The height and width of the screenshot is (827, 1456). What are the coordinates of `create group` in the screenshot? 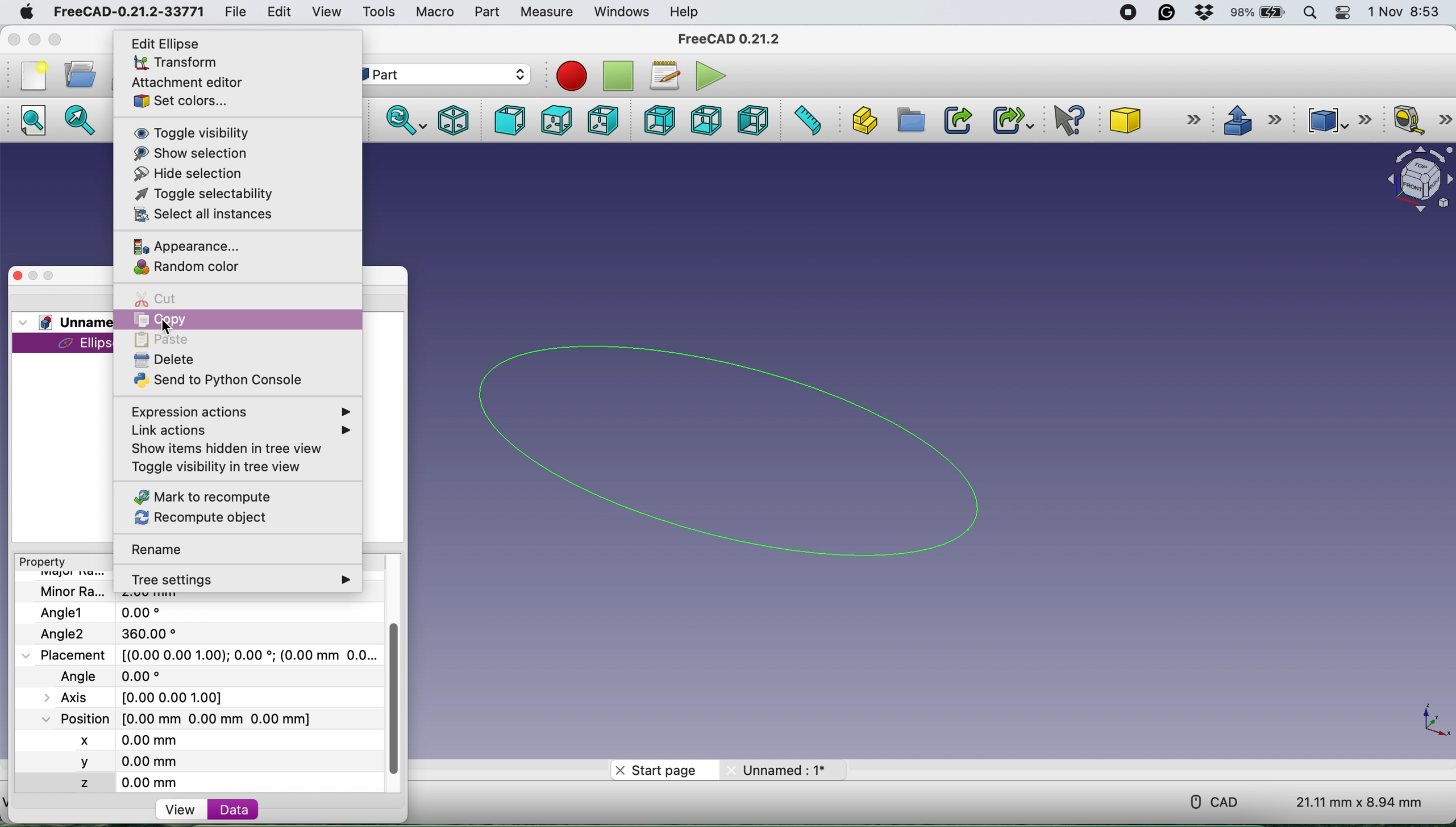 It's located at (911, 123).